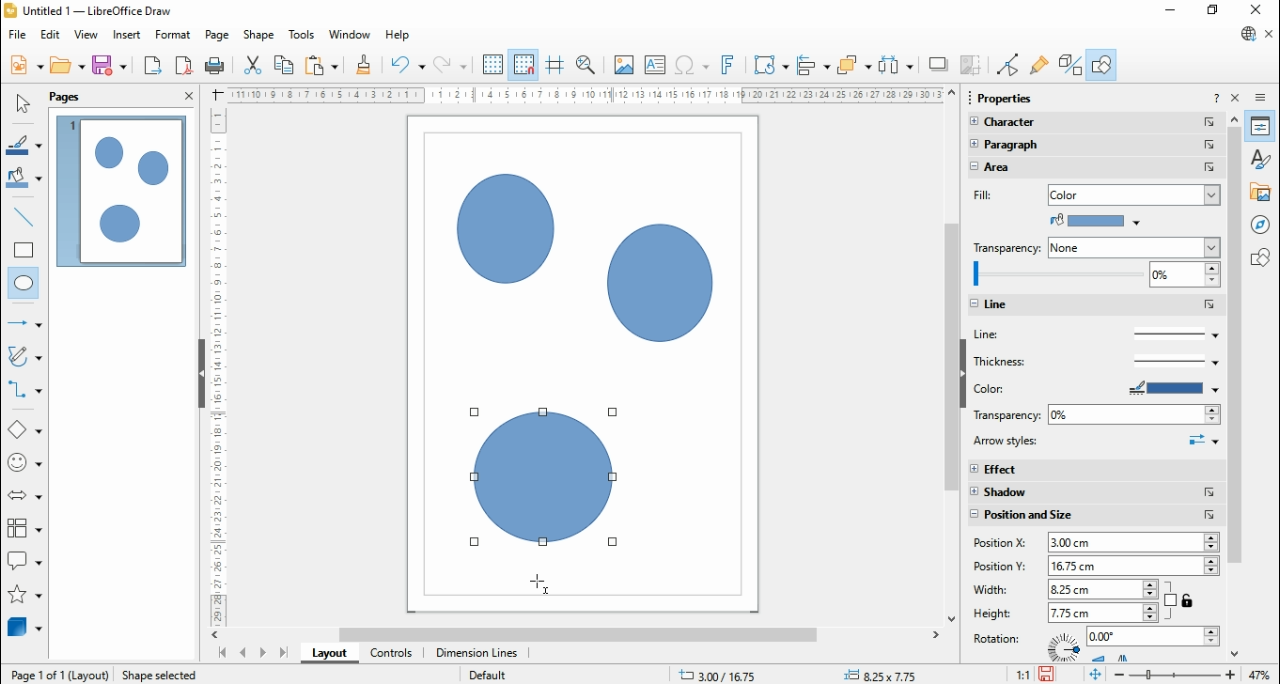  I want to click on save, so click(1049, 674).